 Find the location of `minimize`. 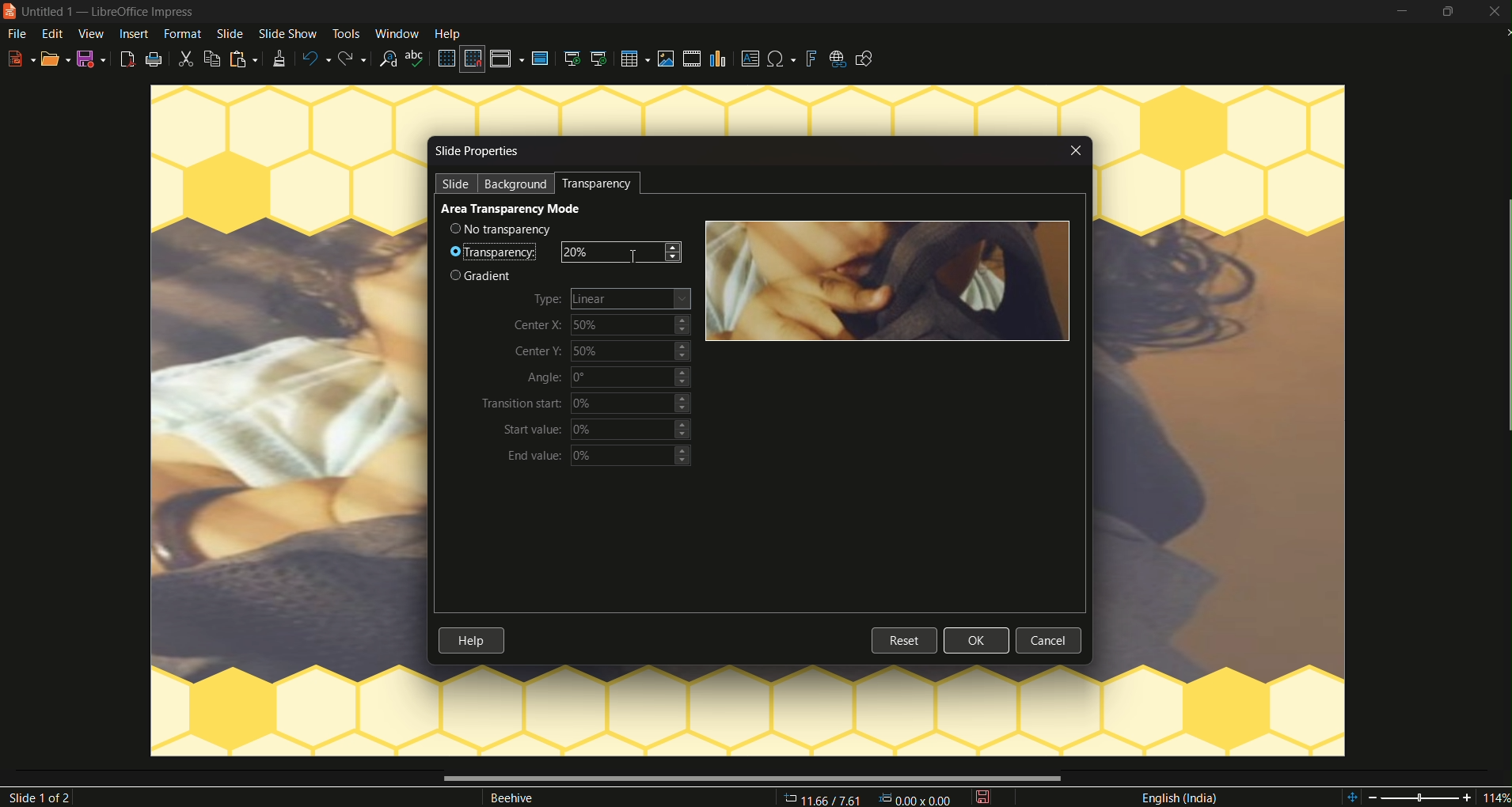

minimize is located at coordinates (1403, 12).